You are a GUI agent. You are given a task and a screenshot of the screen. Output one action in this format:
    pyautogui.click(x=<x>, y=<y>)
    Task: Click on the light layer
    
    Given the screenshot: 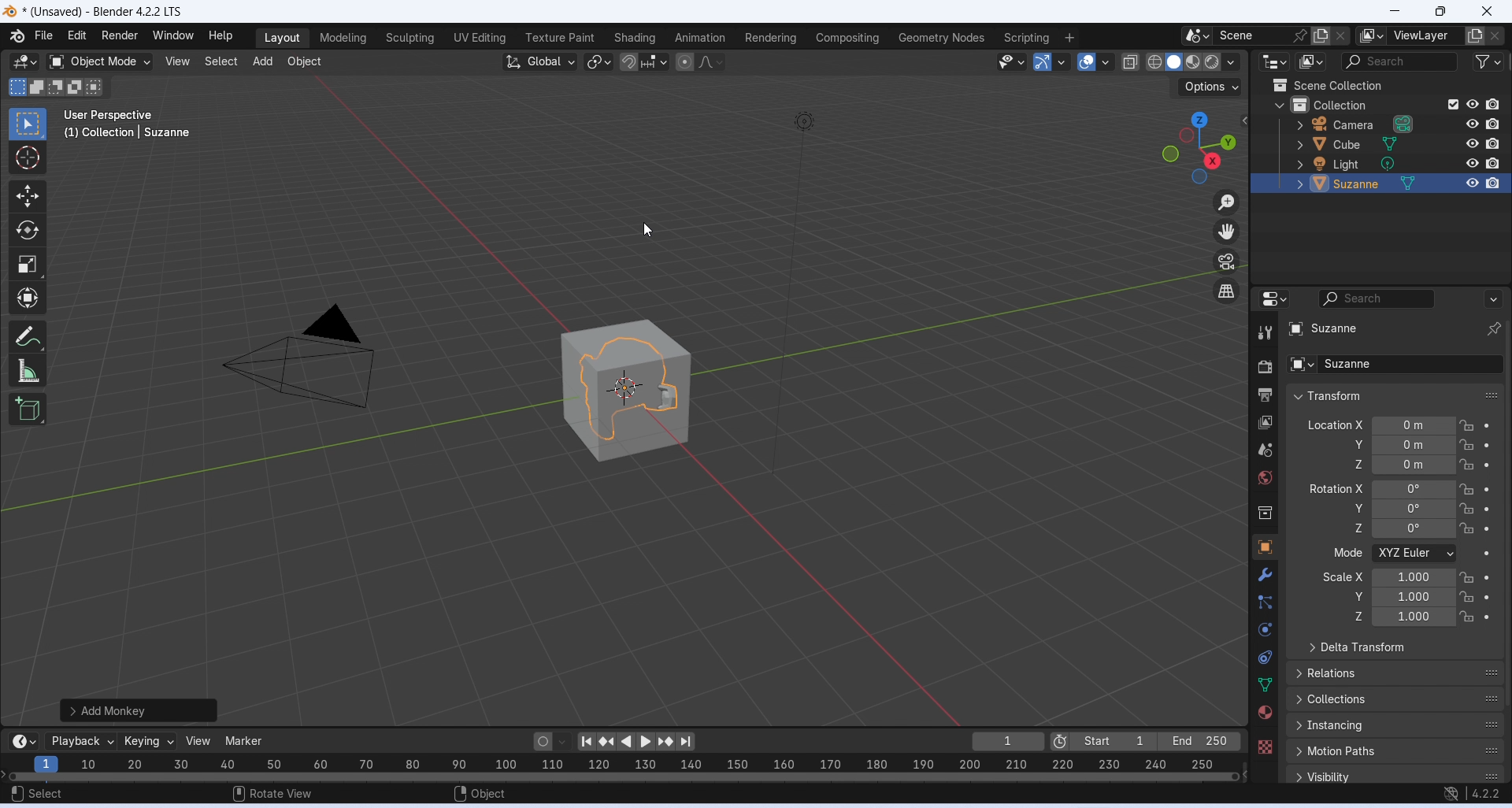 What is the action you would take?
    pyautogui.click(x=1370, y=165)
    